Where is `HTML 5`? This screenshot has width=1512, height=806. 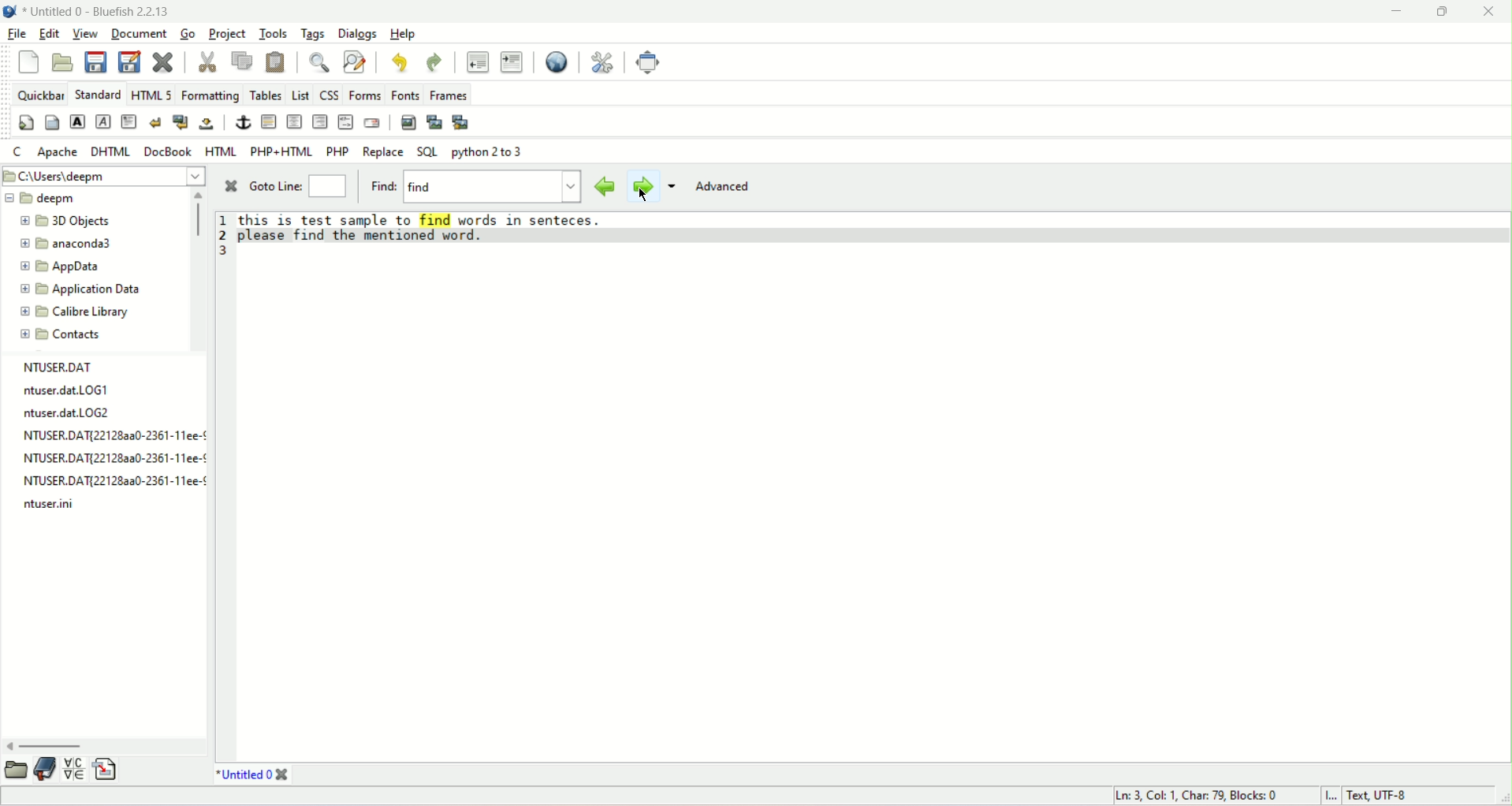
HTML 5 is located at coordinates (152, 95).